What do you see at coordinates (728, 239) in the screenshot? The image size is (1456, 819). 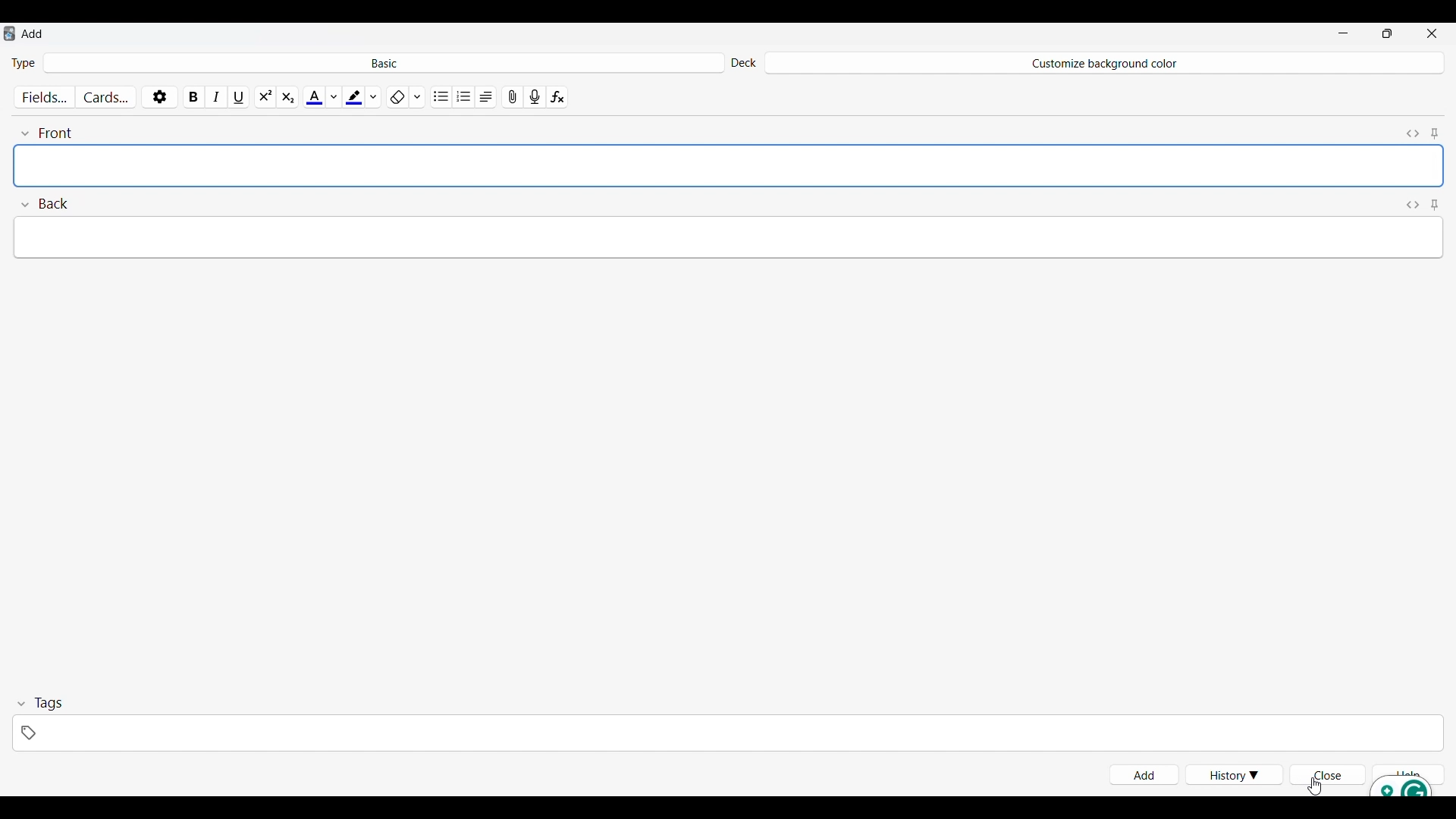 I see `Text space empty after adding card` at bounding box center [728, 239].